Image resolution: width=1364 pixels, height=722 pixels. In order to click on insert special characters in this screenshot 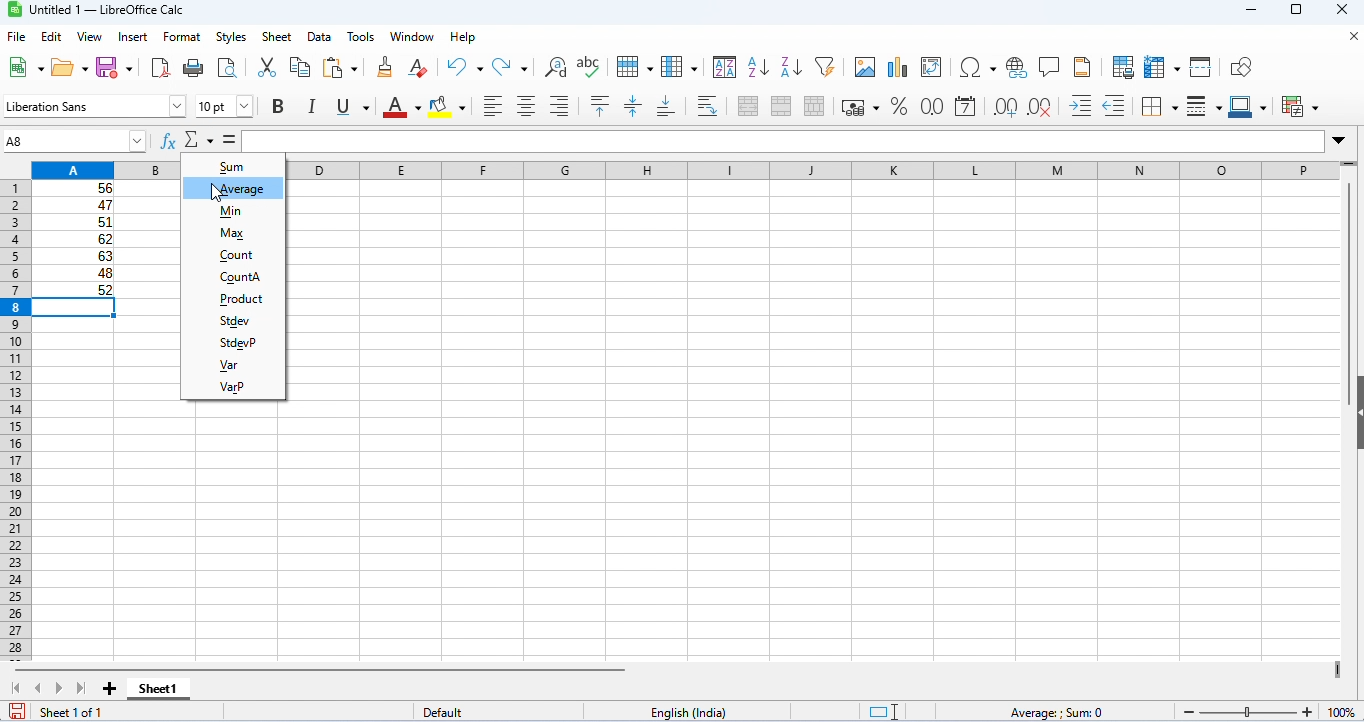, I will do `click(978, 67)`.